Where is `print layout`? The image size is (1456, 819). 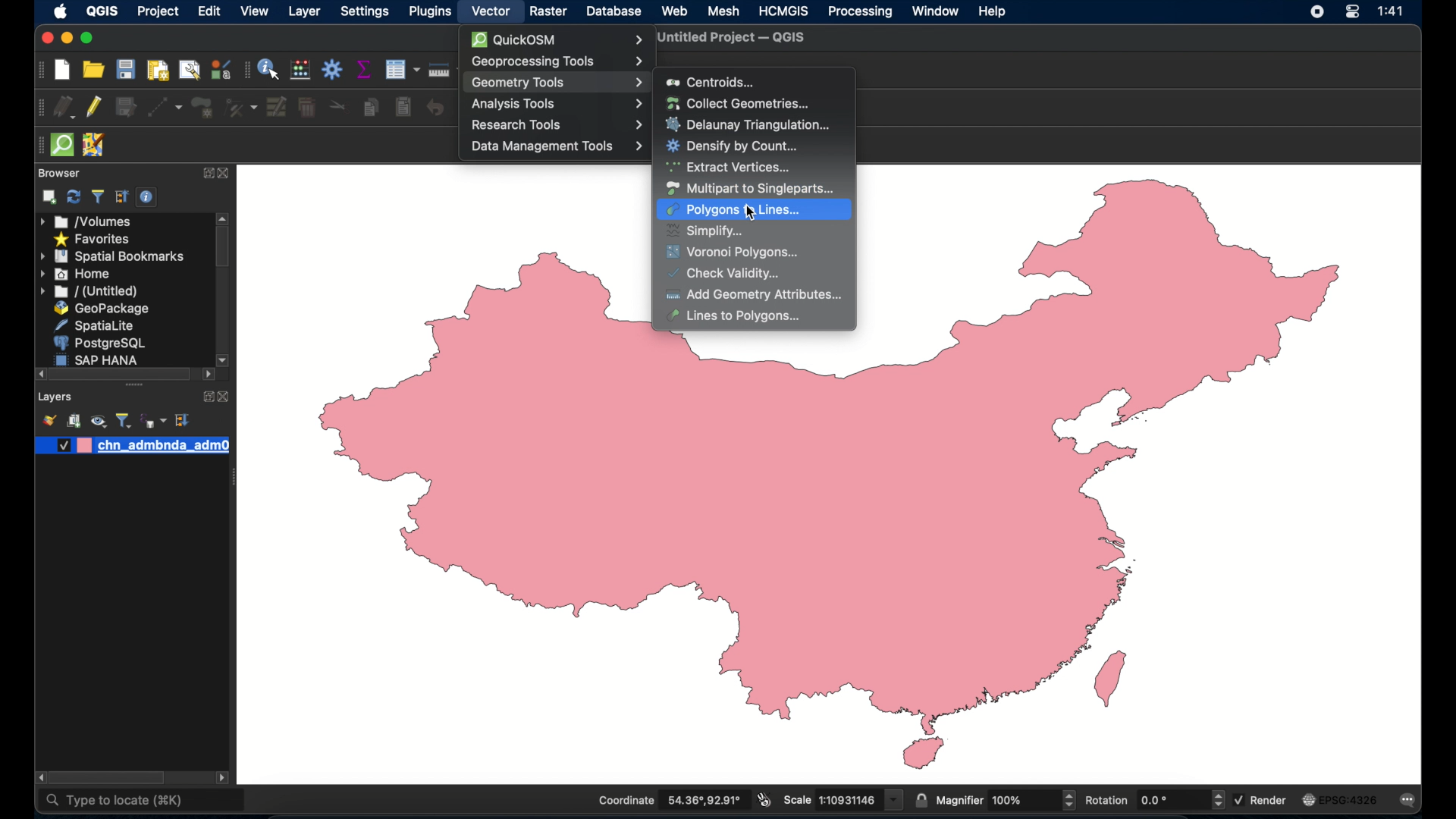 print layout is located at coordinates (156, 70).